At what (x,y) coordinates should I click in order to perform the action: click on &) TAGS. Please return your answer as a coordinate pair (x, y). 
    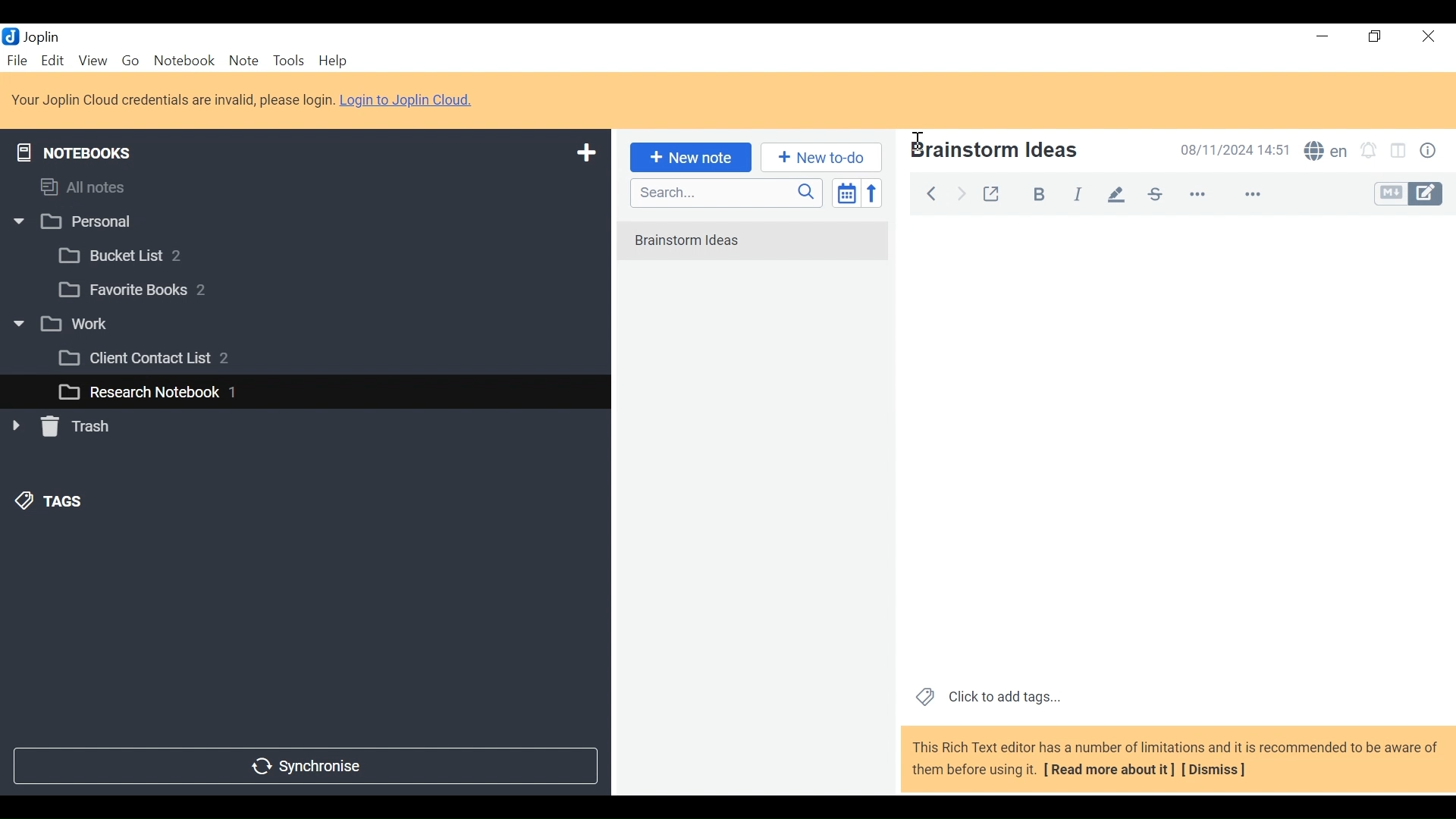
    Looking at the image, I should click on (66, 503).